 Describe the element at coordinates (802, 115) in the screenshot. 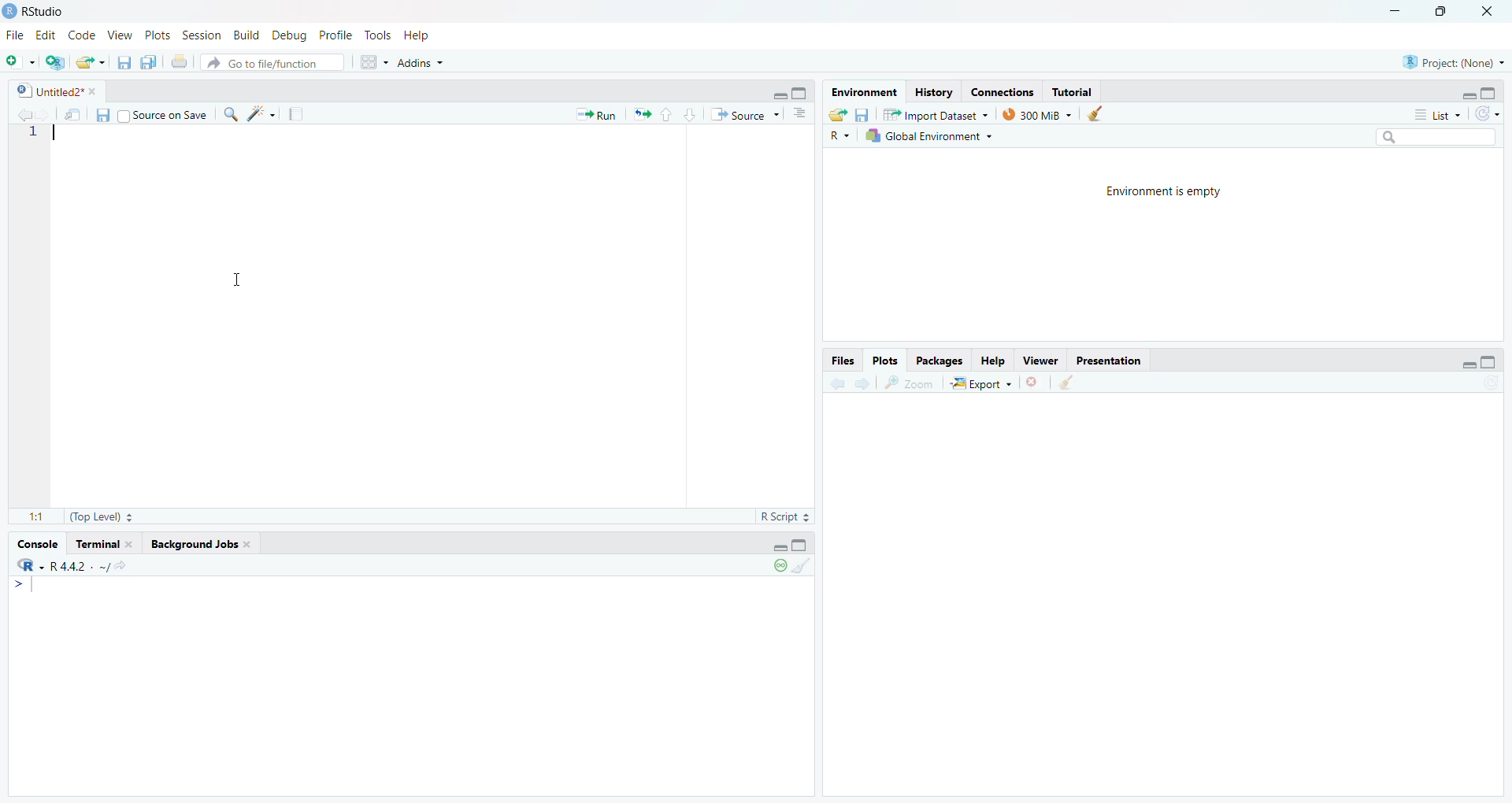

I see `show document outline` at that location.